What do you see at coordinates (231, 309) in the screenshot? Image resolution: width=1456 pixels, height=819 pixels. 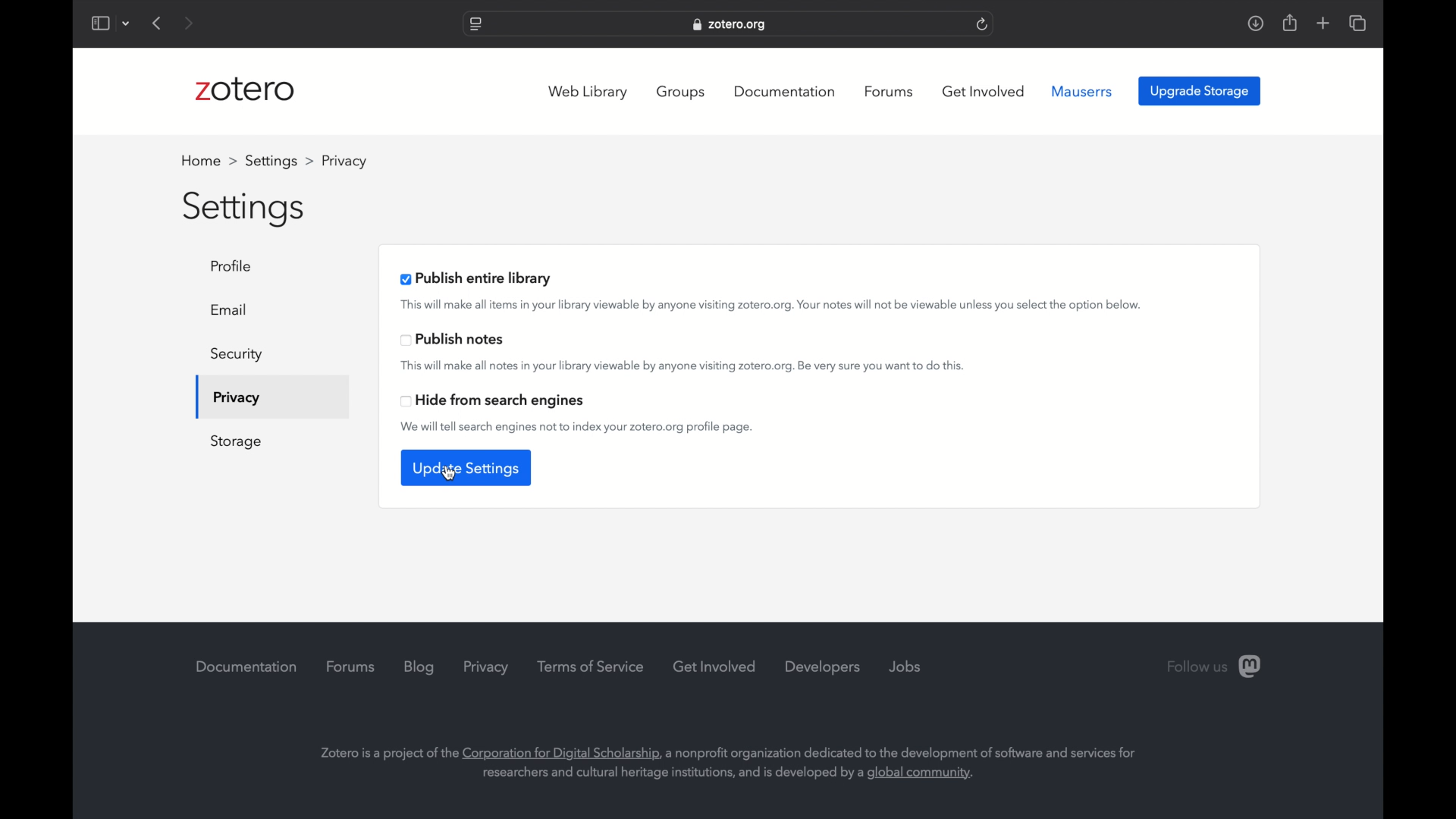 I see `email` at bounding box center [231, 309].